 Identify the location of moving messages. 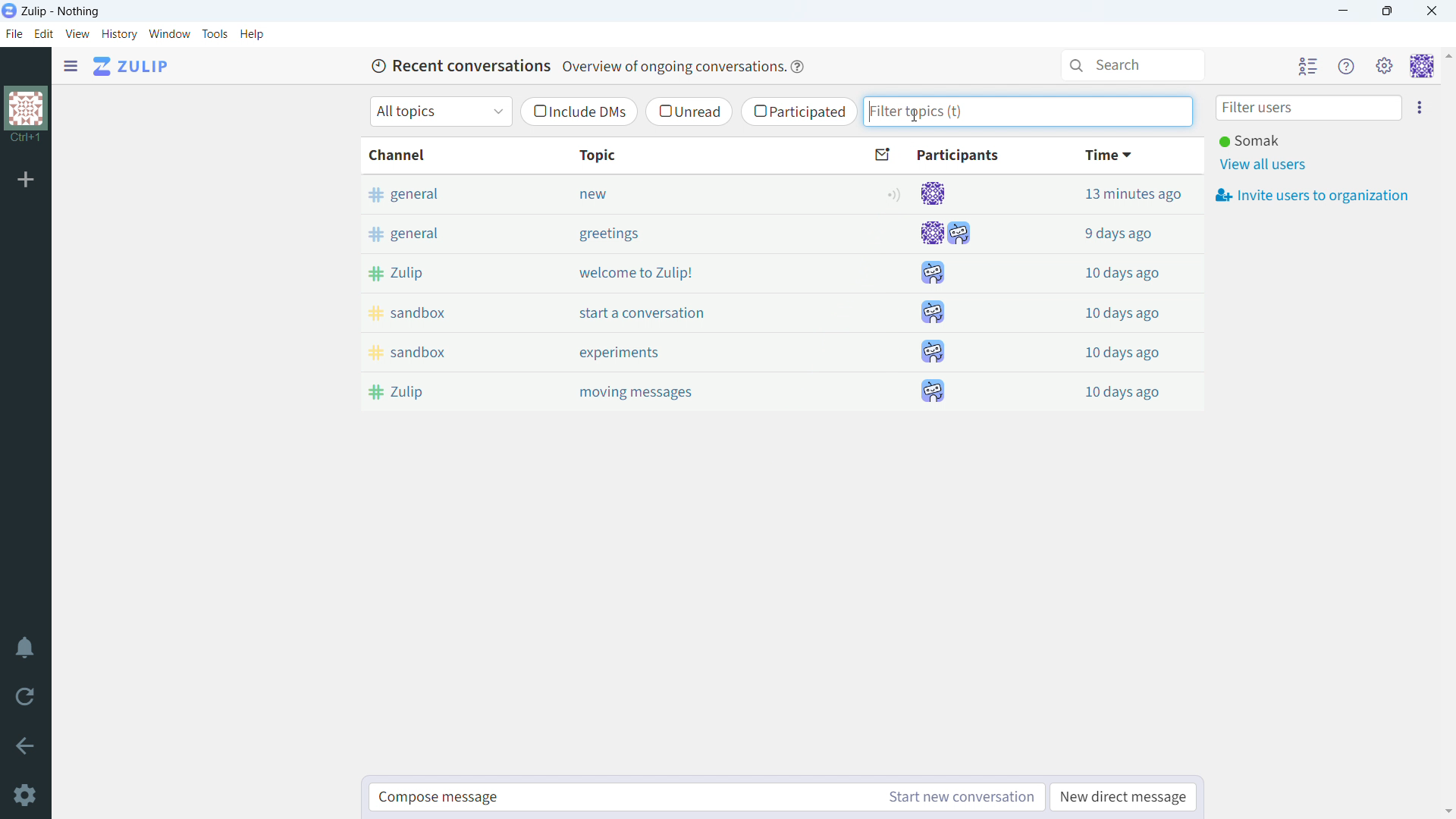
(698, 392).